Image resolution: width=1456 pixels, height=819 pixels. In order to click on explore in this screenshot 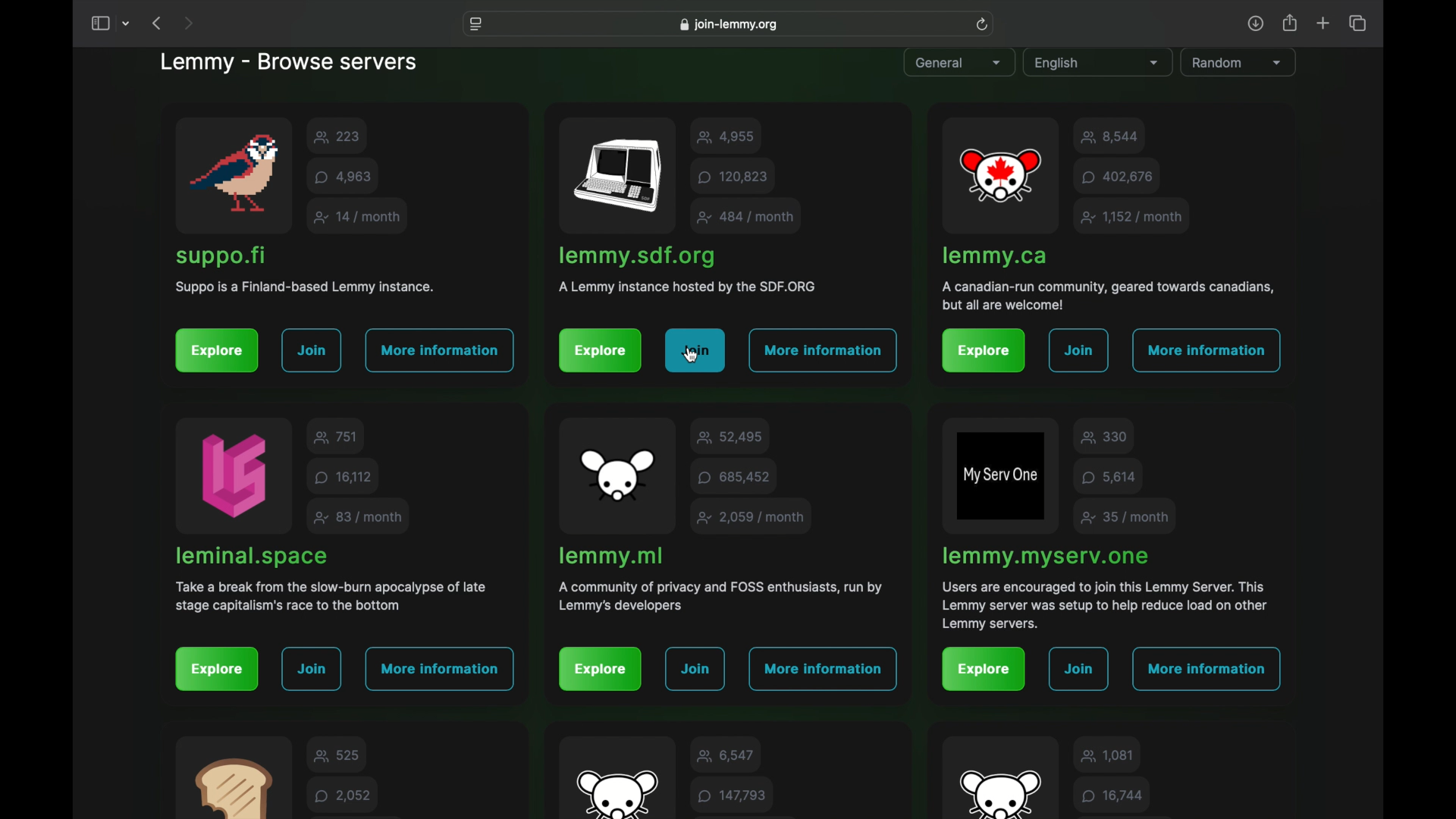, I will do `click(984, 352)`.